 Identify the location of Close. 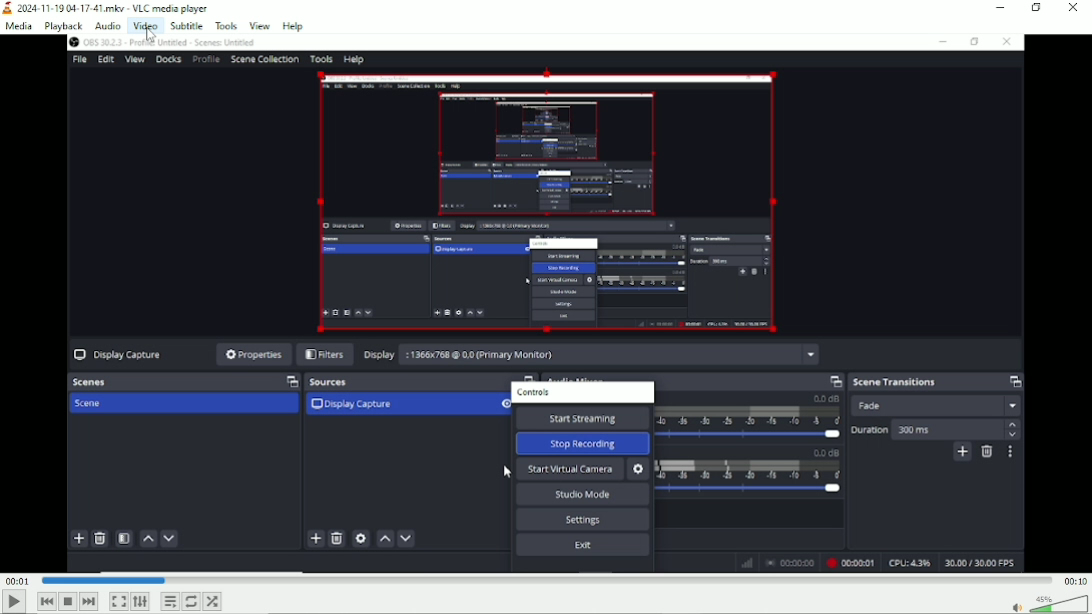
(1074, 8).